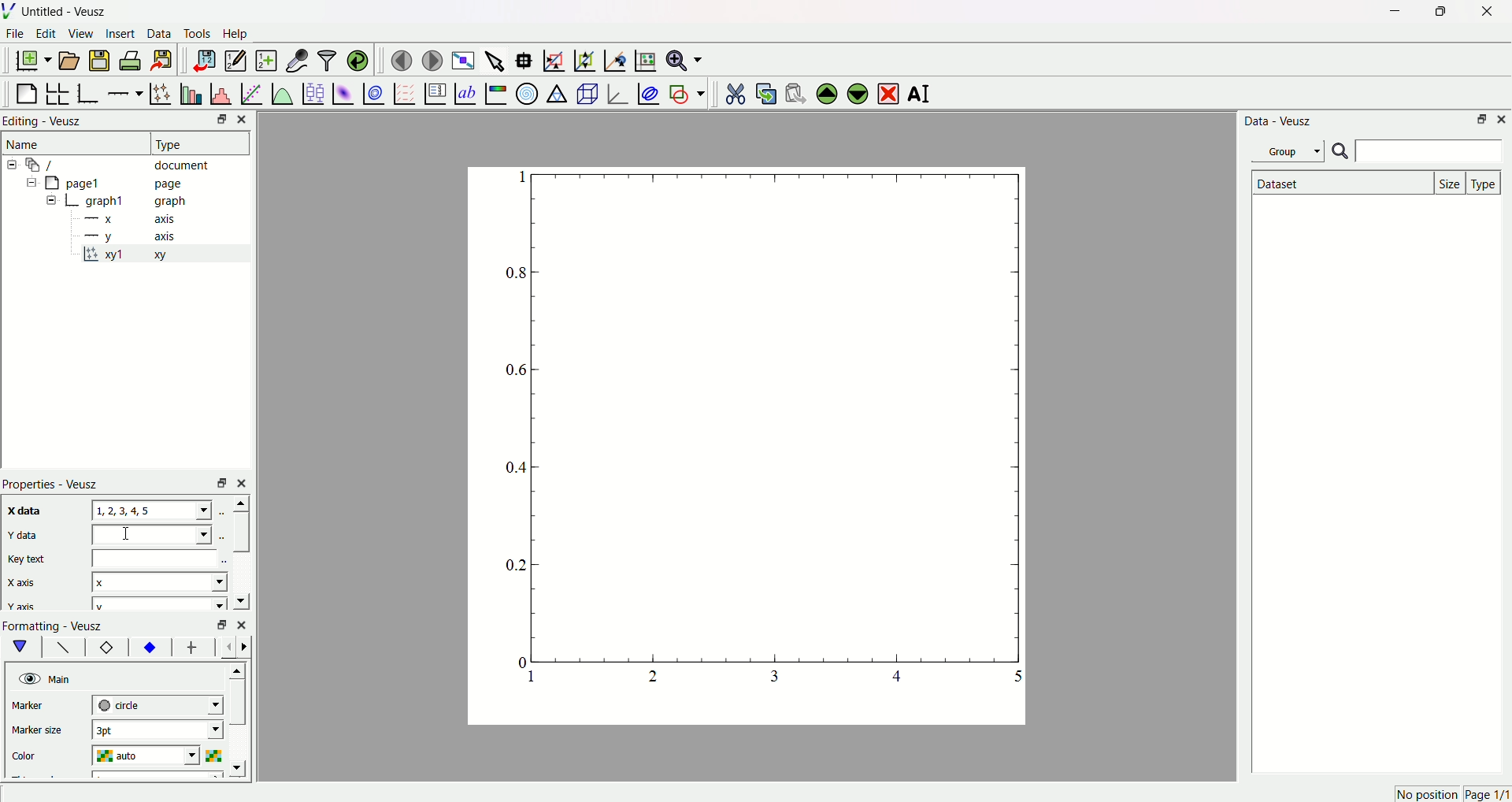 The height and width of the screenshot is (802, 1512). I want to click on File, so click(17, 35).